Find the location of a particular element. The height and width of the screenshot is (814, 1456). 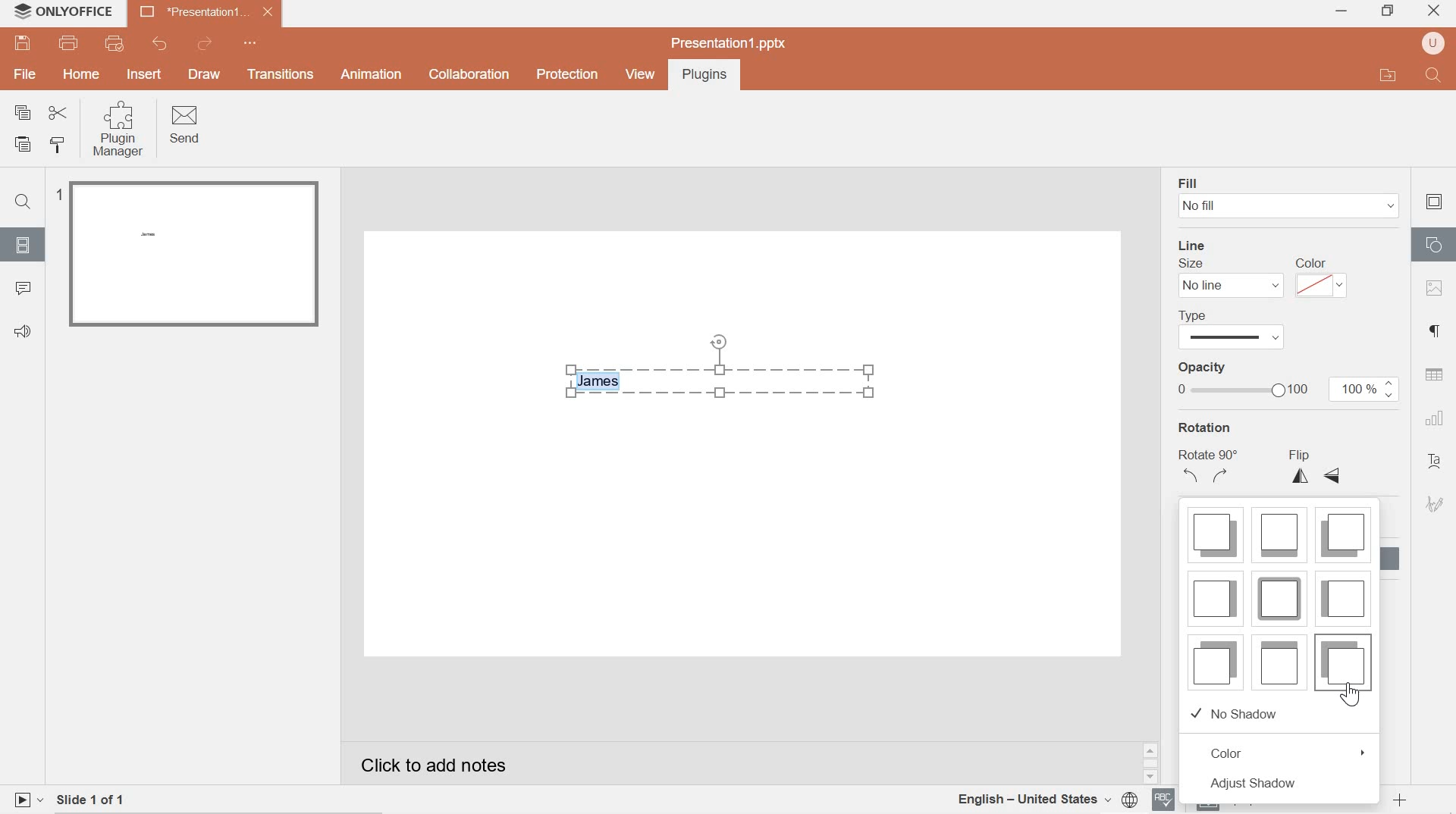

opacity bar is located at coordinates (1240, 391).